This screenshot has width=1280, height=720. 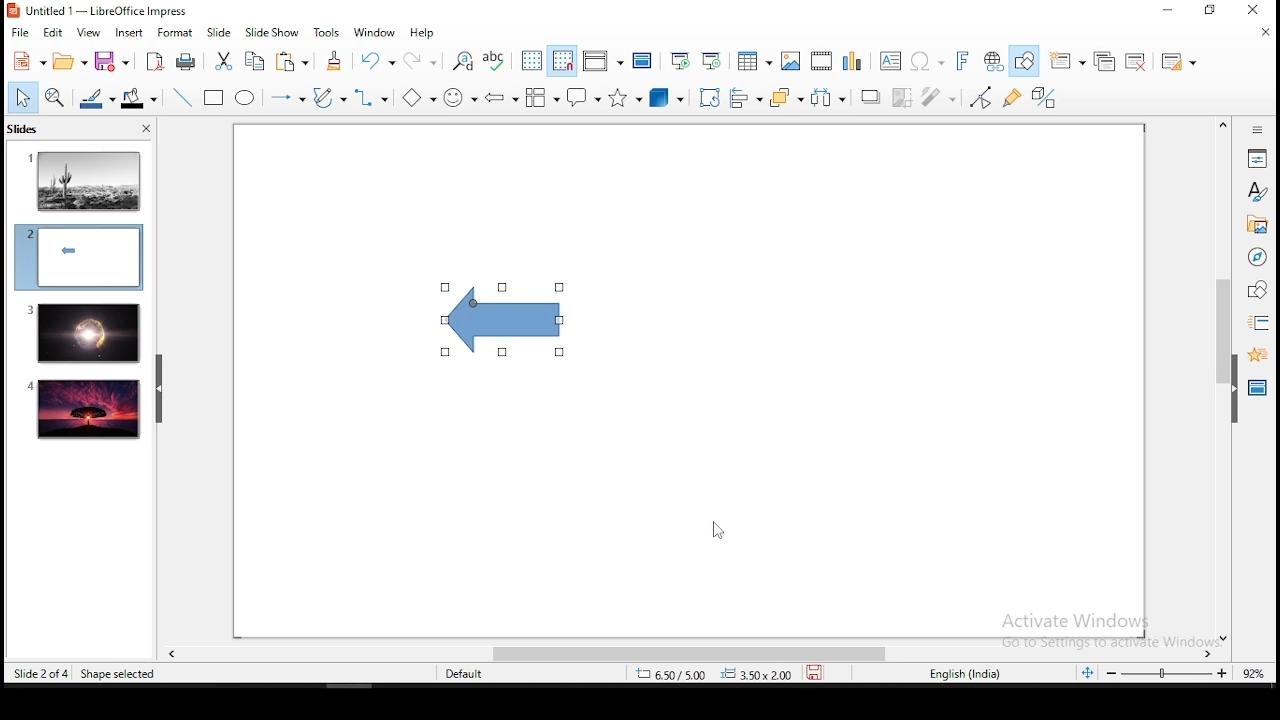 What do you see at coordinates (100, 10) in the screenshot?
I see `window name` at bounding box center [100, 10].